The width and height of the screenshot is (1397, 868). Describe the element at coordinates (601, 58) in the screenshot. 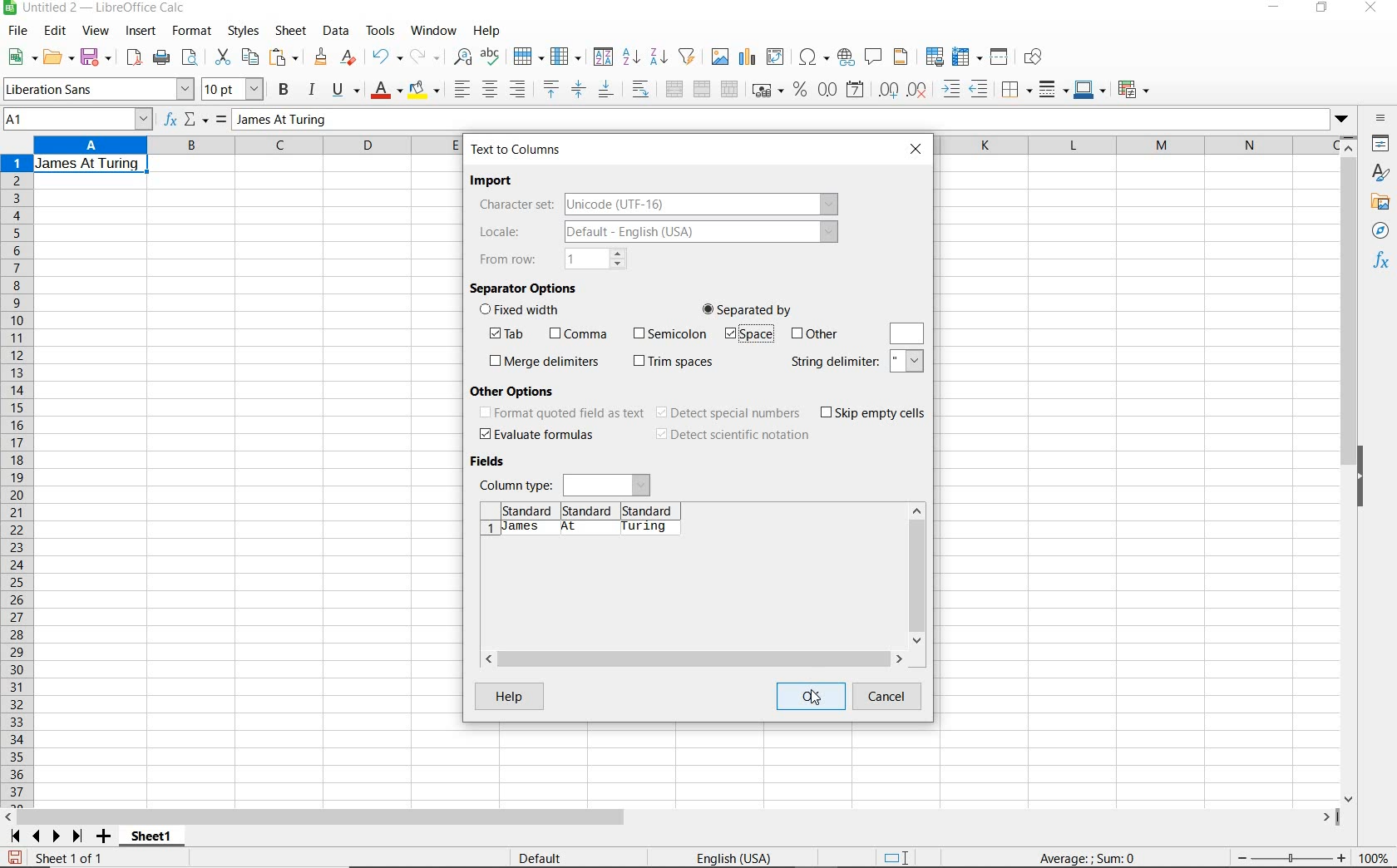

I see `sort` at that location.